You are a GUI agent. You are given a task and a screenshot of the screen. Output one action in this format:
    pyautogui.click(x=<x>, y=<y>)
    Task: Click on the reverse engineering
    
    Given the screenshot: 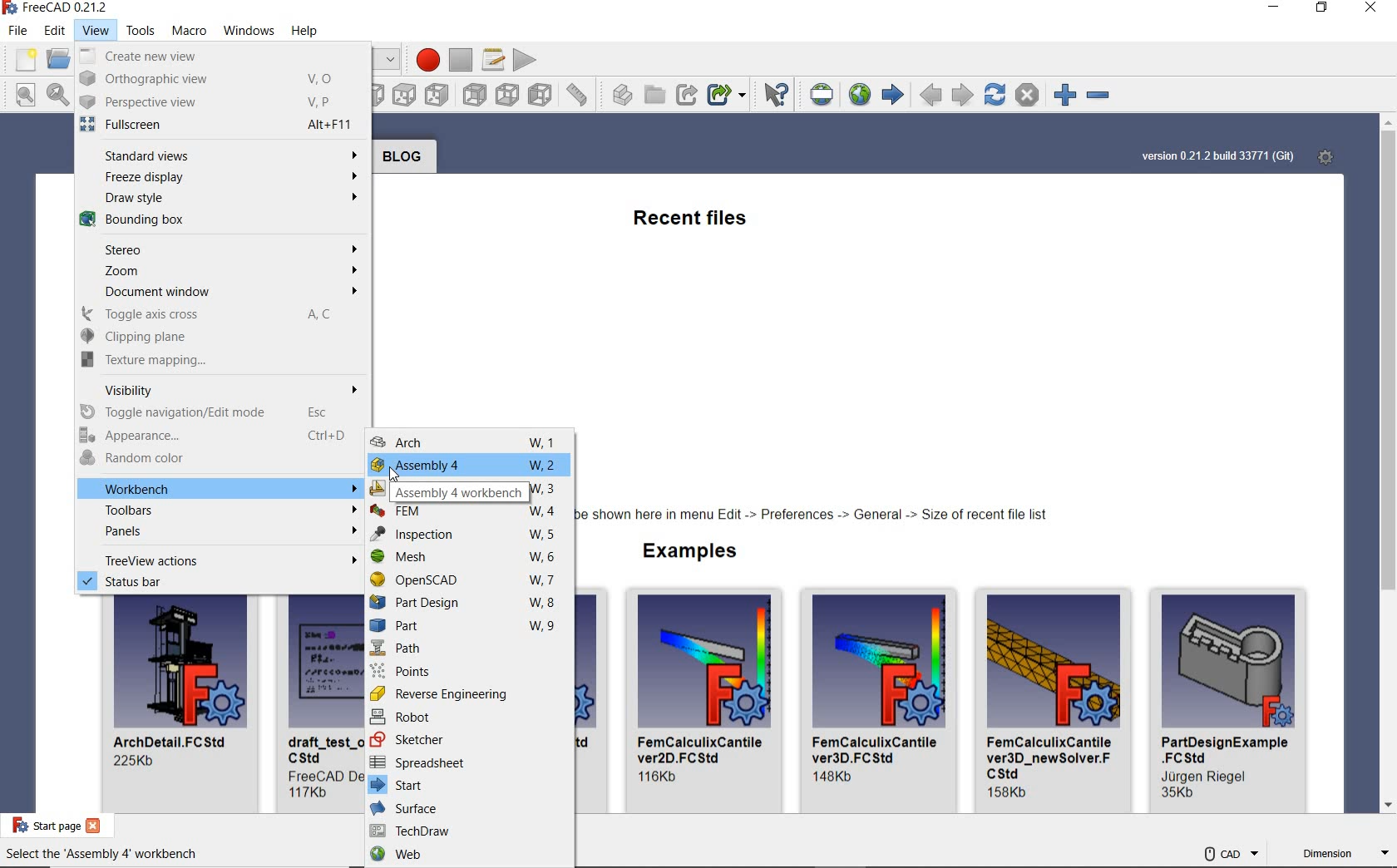 What is the action you would take?
    pyautogui.click(x=468, y=695)
    